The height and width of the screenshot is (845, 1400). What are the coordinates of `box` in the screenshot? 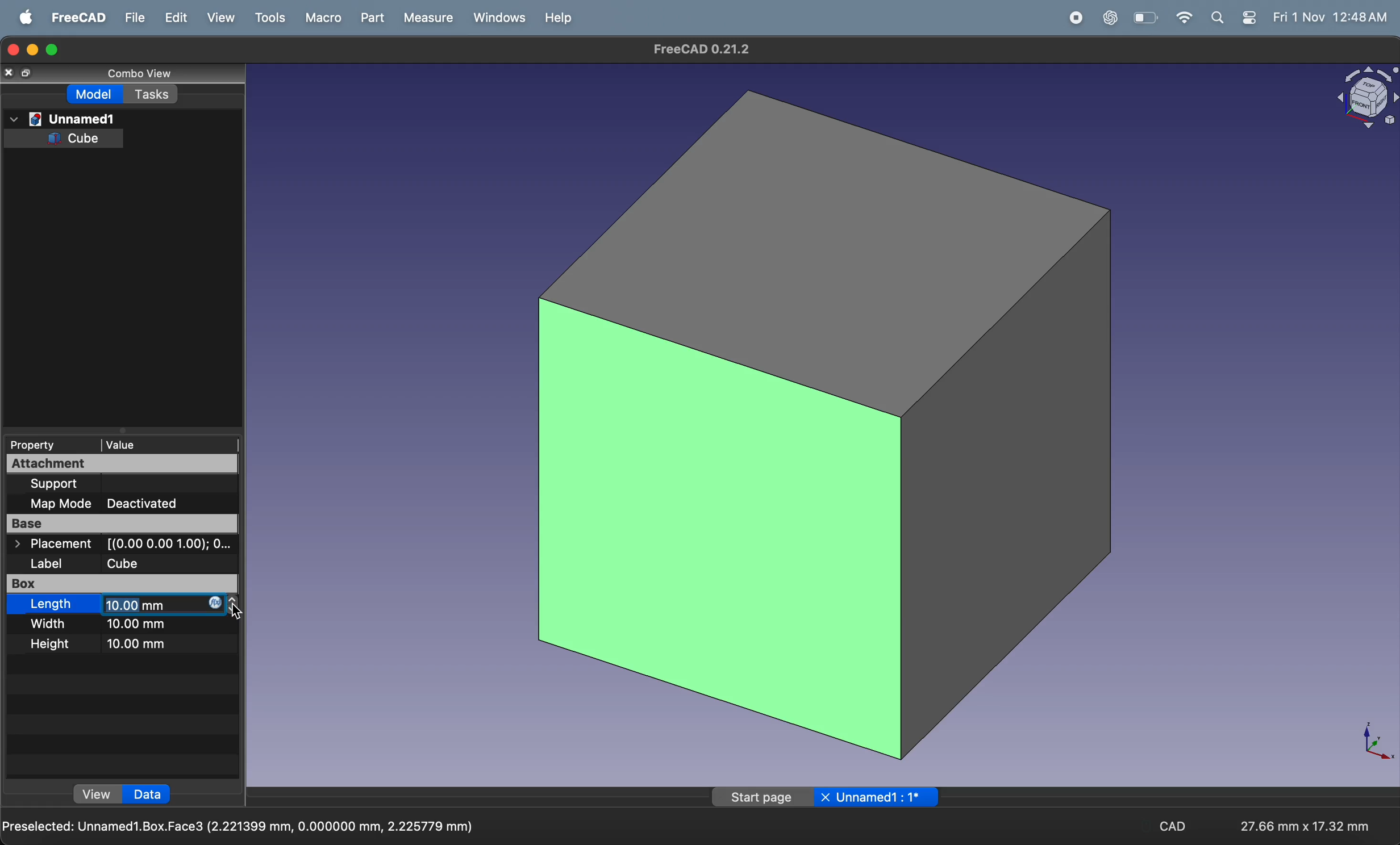 It's located at (59, 583).